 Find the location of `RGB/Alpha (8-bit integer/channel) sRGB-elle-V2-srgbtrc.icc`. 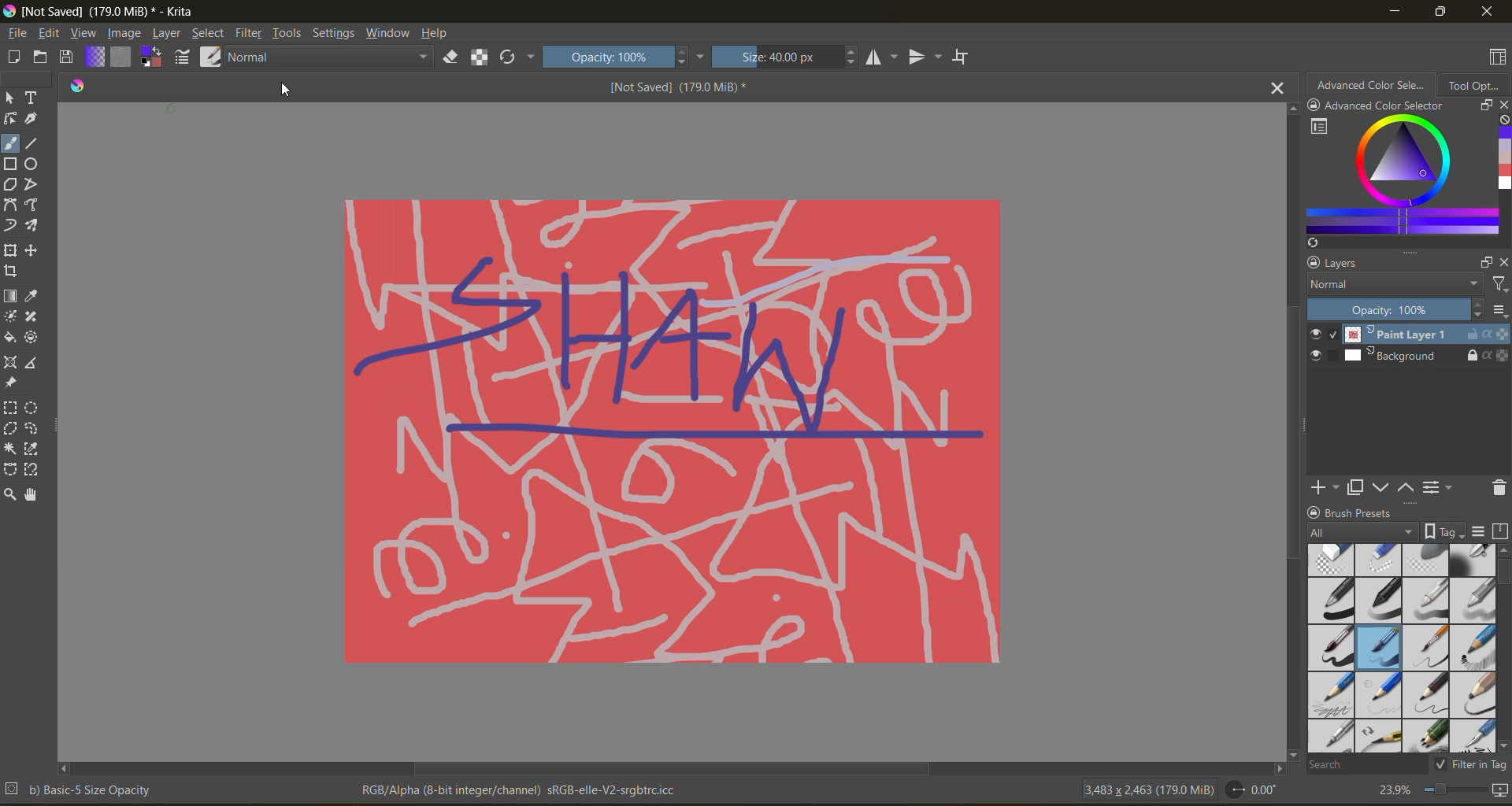

RGB/Alpha (8-bit integer/channel) sRGB-elle-V2-srgbtrc.icc is located at coordinates (520, 791).